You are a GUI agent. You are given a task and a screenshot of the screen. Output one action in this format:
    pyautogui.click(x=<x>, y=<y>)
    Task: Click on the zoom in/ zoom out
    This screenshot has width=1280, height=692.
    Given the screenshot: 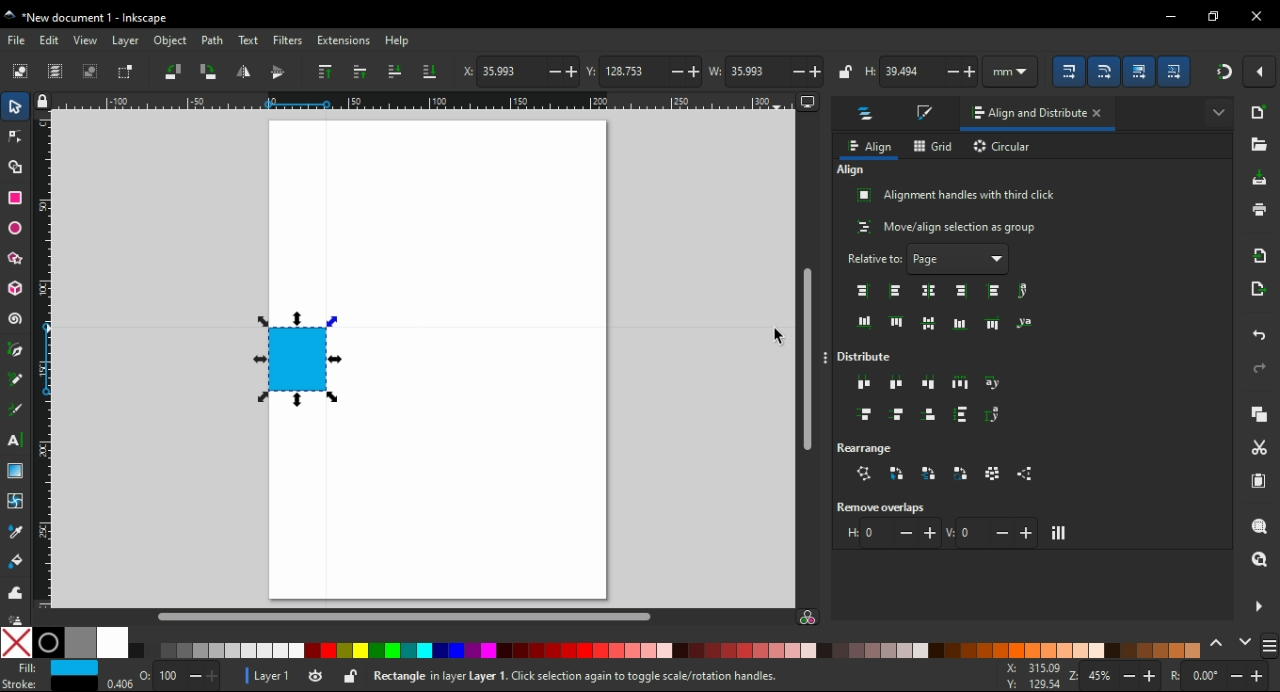 What is the action you would take?
    pyautogui.click(x=1114, y=677)
    